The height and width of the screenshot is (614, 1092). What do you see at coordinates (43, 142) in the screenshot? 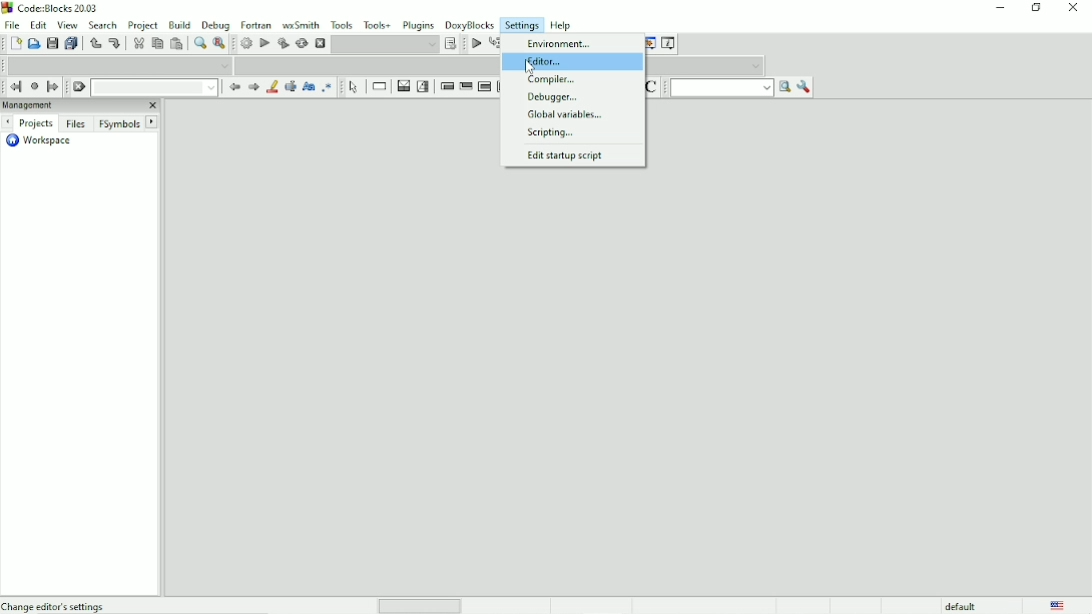
I see `Workspace` at bounding box center [43, 142].